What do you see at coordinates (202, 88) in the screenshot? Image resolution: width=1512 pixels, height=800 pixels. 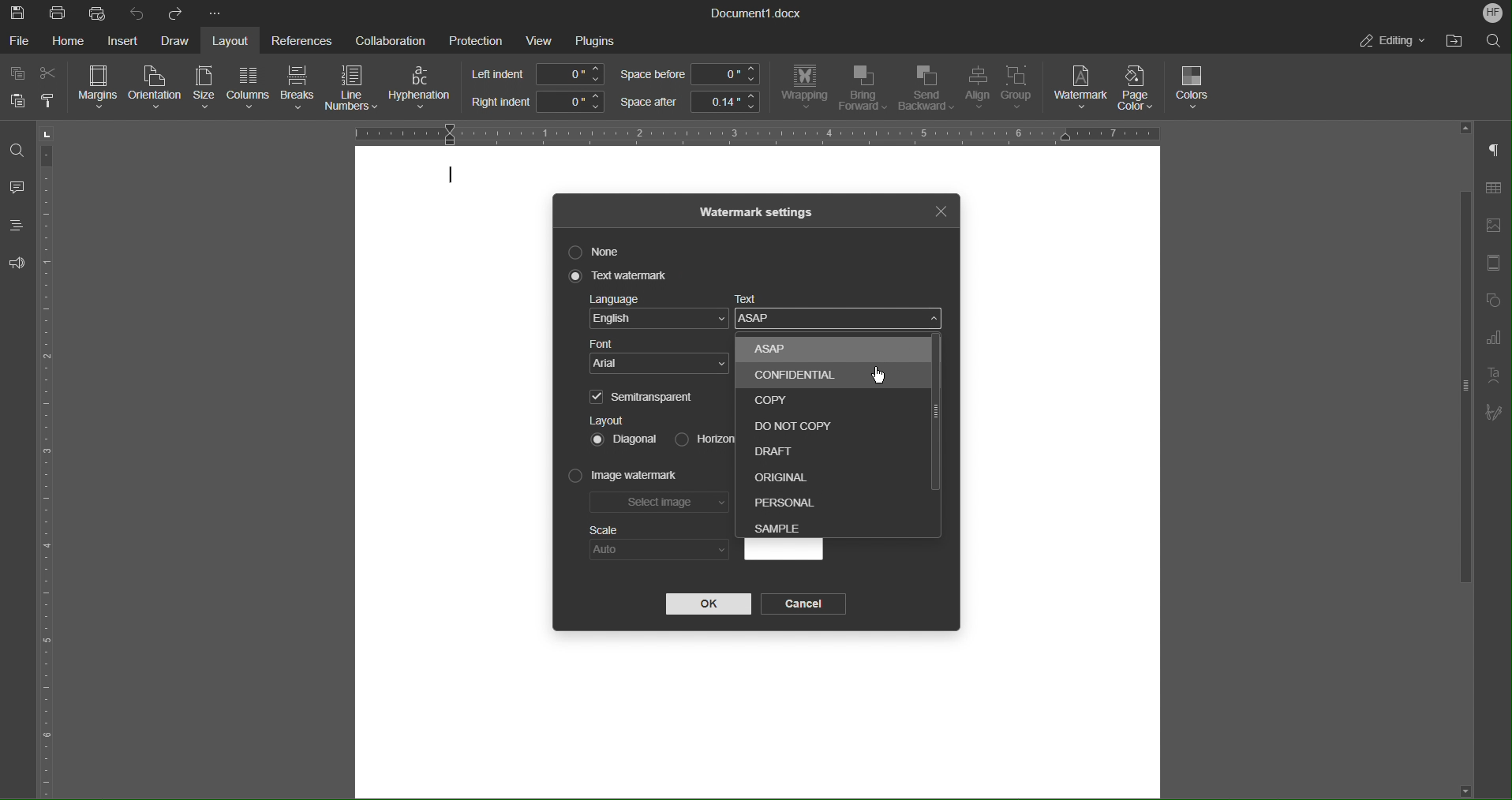 I see `Size` at bounding box center [202, 88].